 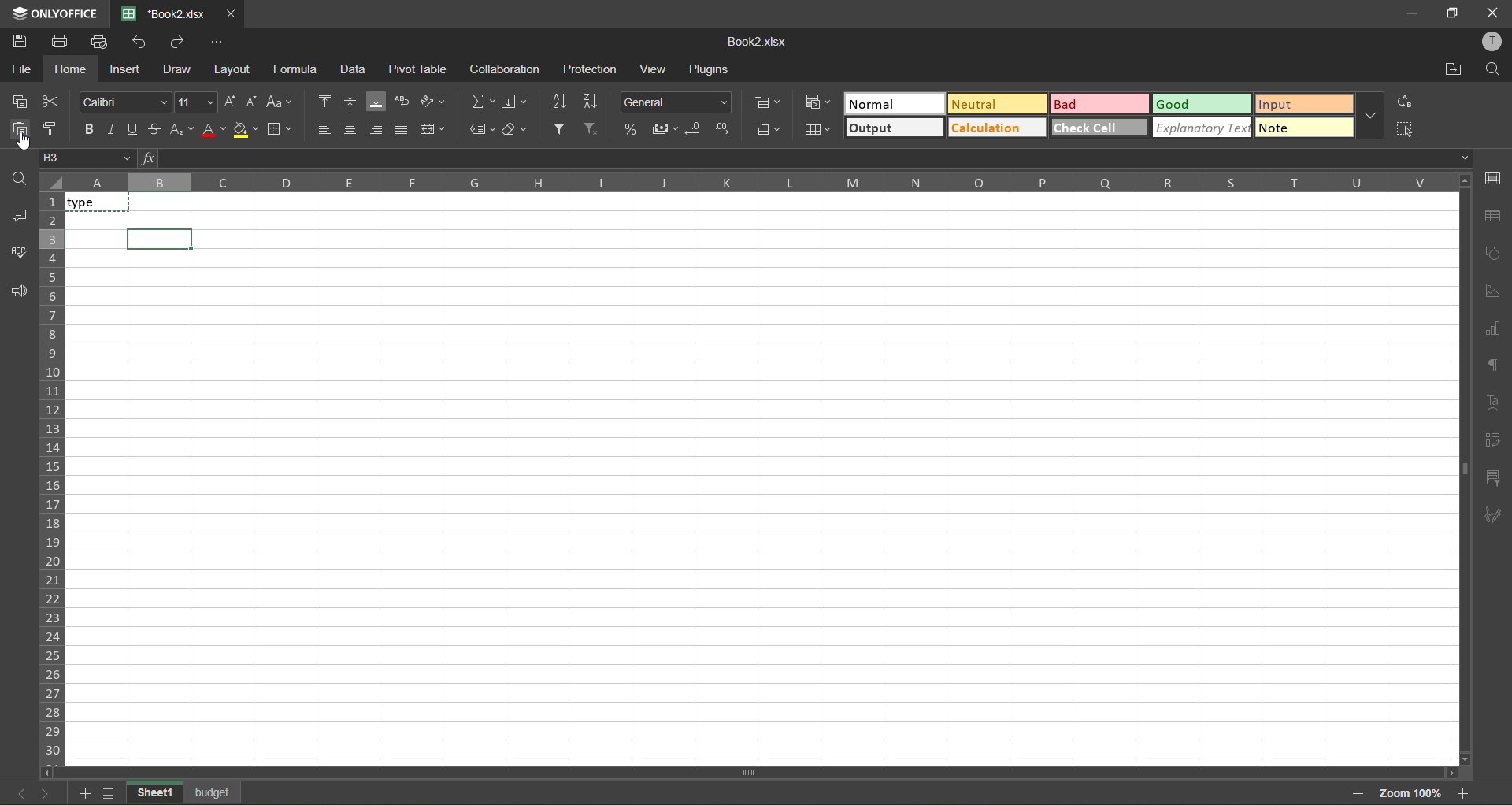 What do you see at coordinates (1466, 793) in the screenshot?
I see `zoom in` at bounding box center [1466, 793].